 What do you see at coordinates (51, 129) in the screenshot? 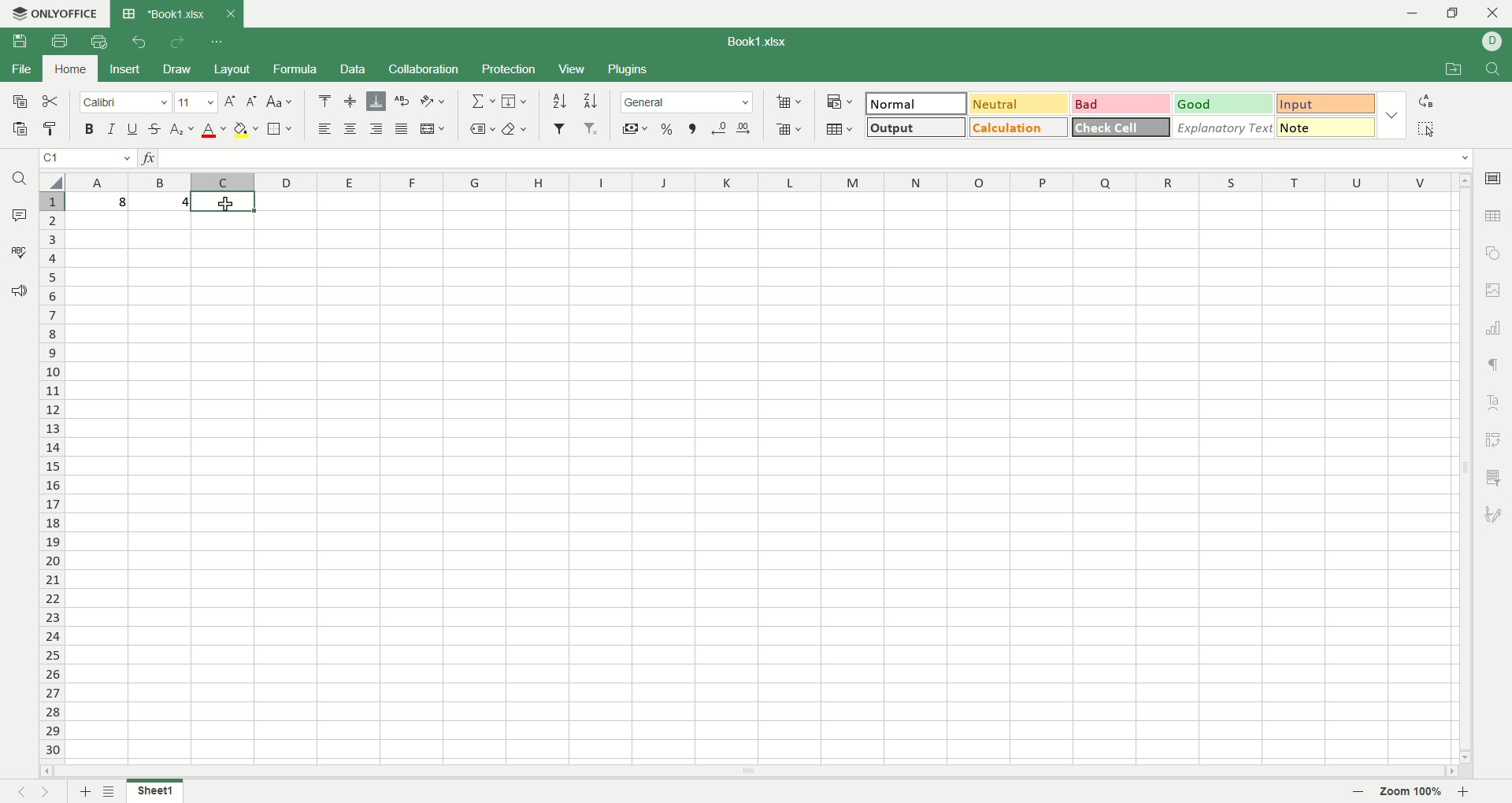
I see `paste` at bounding box center [51, 129].